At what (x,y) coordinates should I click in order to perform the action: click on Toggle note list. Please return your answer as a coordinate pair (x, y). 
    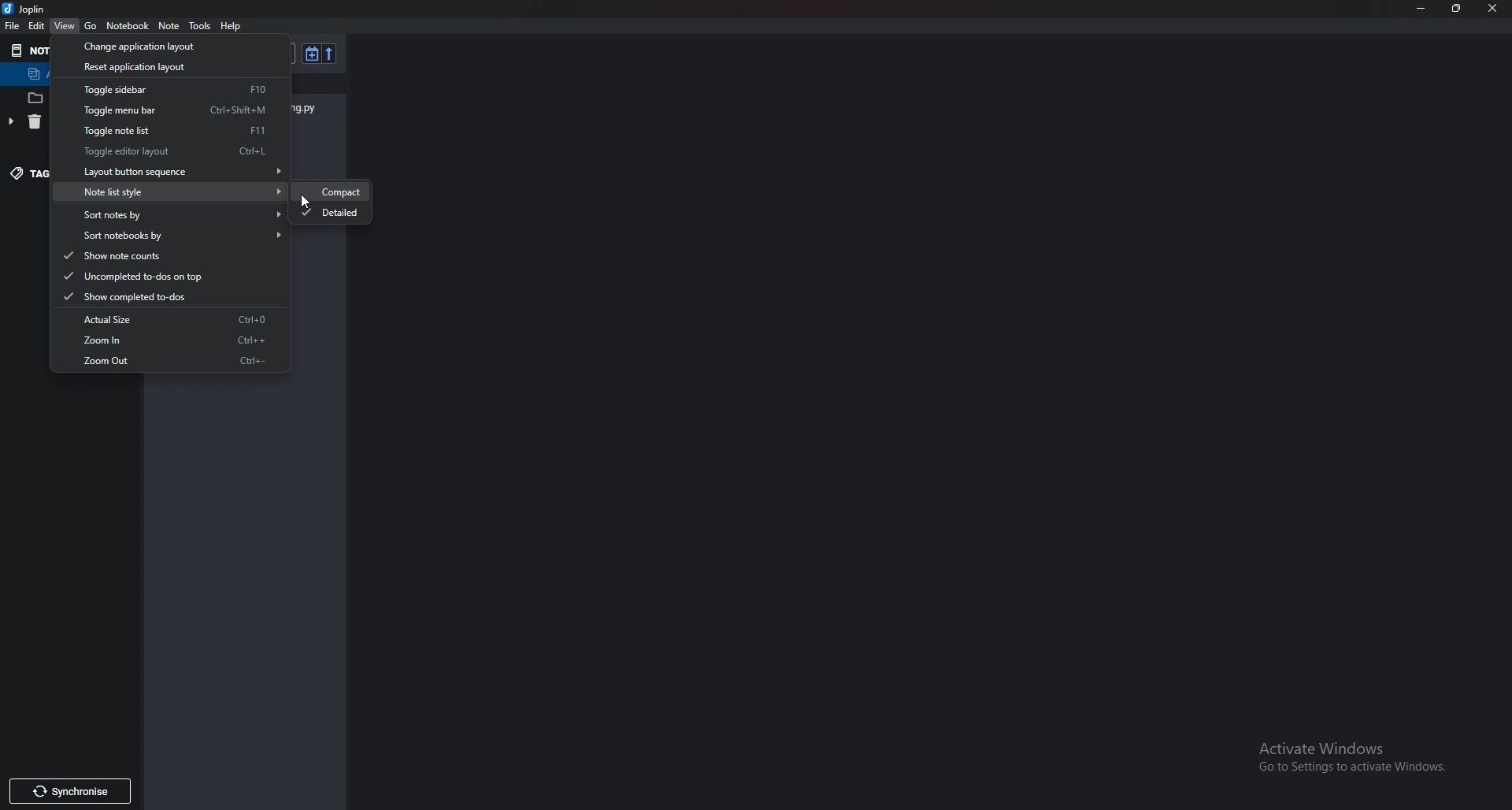
    Looking at the image, I should click on (168, 131).